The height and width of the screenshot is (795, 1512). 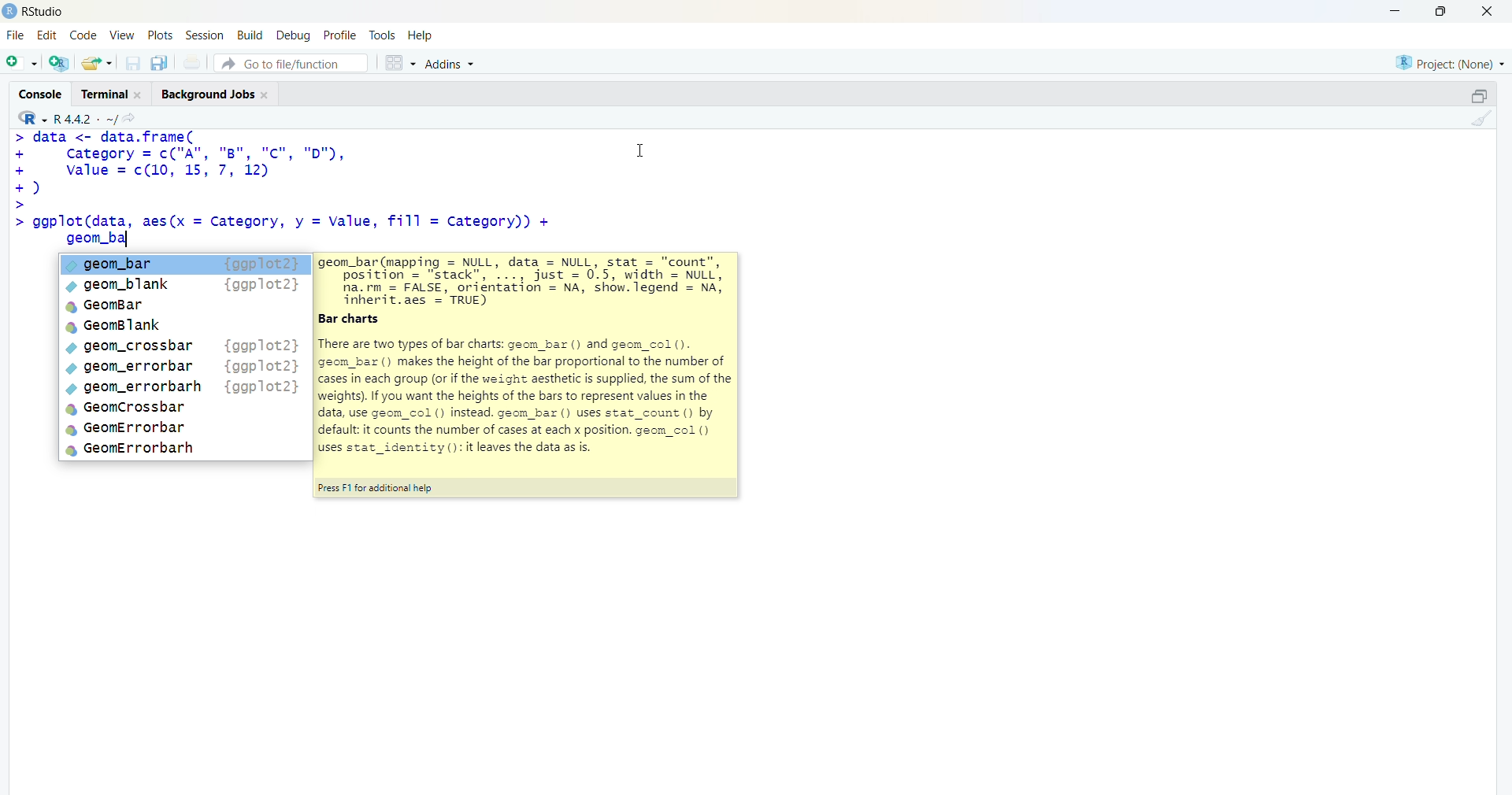 What do you see at coordinates (1446, 11) in the screenshot?
I see `maximize` at bounding box center [1446, 11].